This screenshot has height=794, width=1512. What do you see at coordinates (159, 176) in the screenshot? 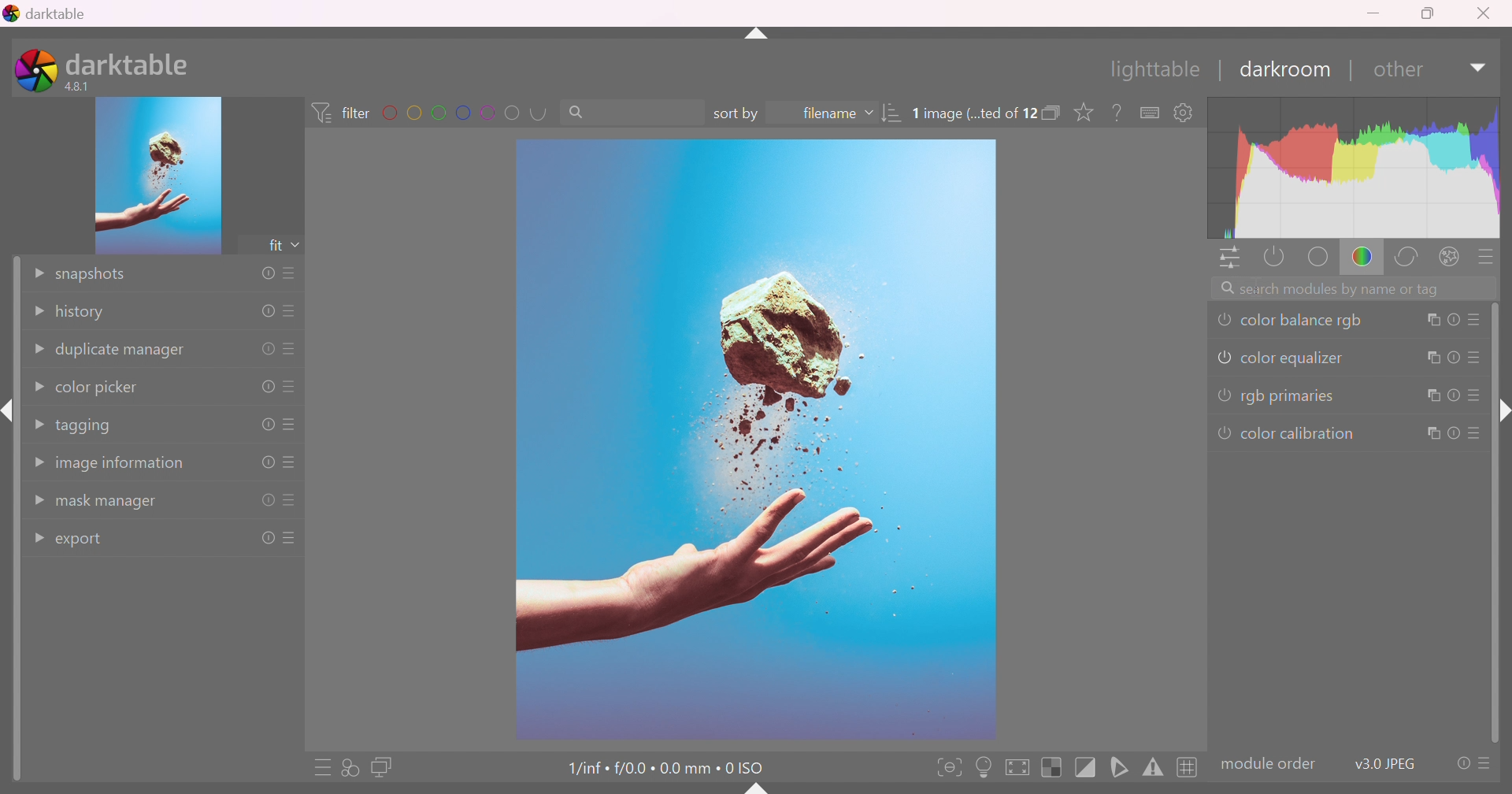
I see `image` at bounding box center [159, 176].